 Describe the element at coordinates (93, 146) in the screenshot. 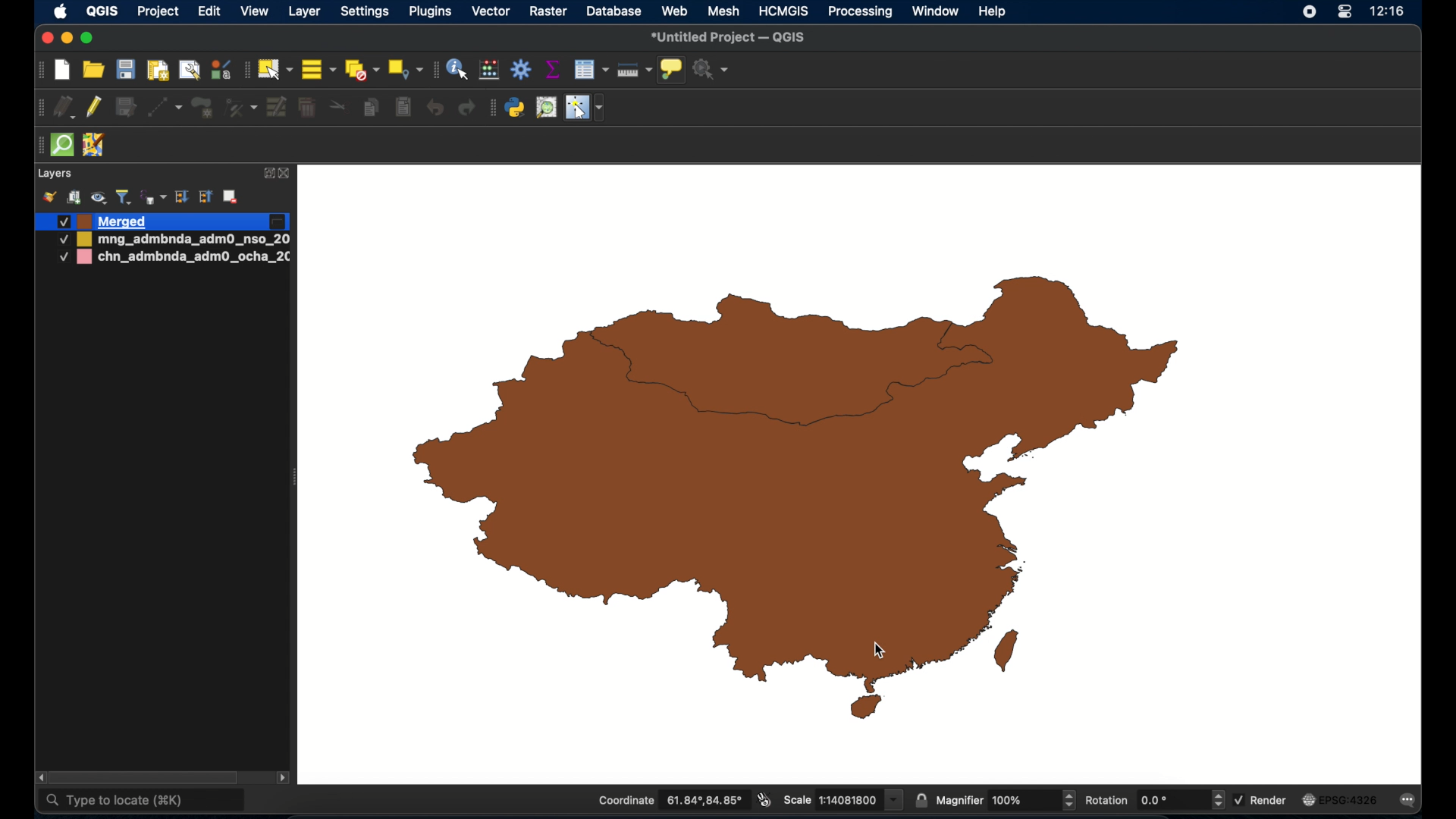

I see `josh remote` at that location.